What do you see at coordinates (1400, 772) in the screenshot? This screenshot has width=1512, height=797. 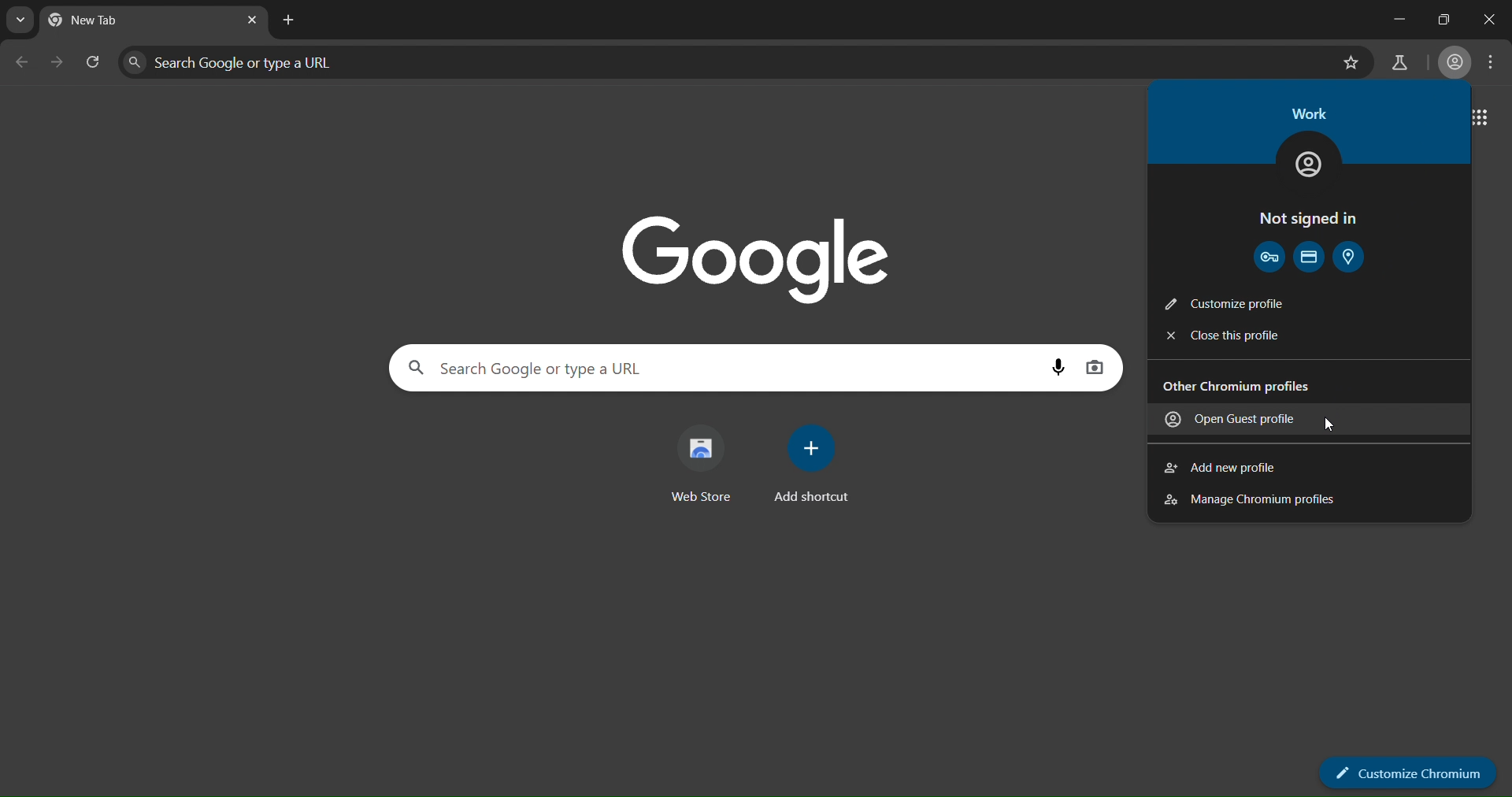 I see `customize chromium` at bounding box center [1400, 772].